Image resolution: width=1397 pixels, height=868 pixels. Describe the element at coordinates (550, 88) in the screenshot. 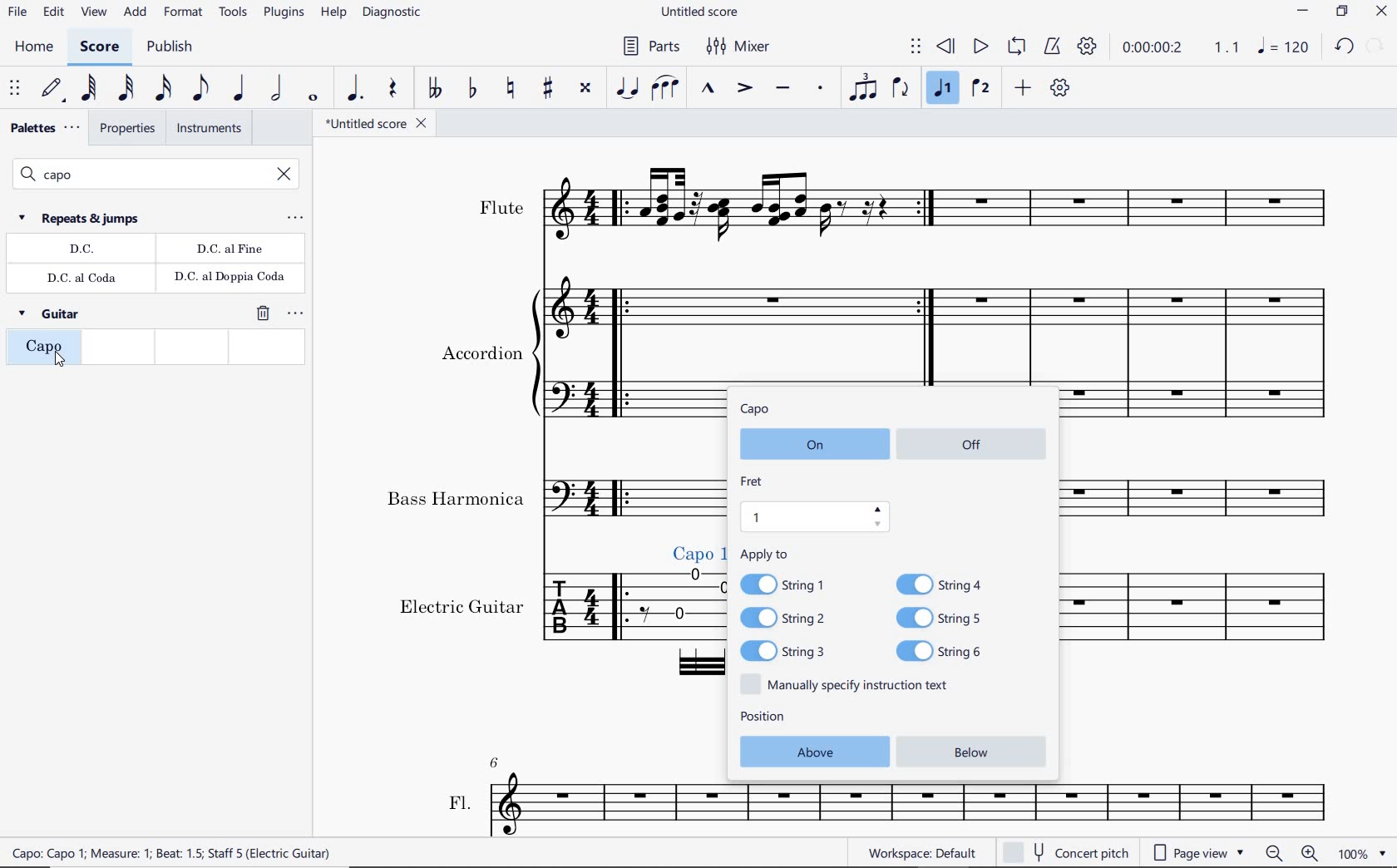

I see `toggle sharp` at that location.